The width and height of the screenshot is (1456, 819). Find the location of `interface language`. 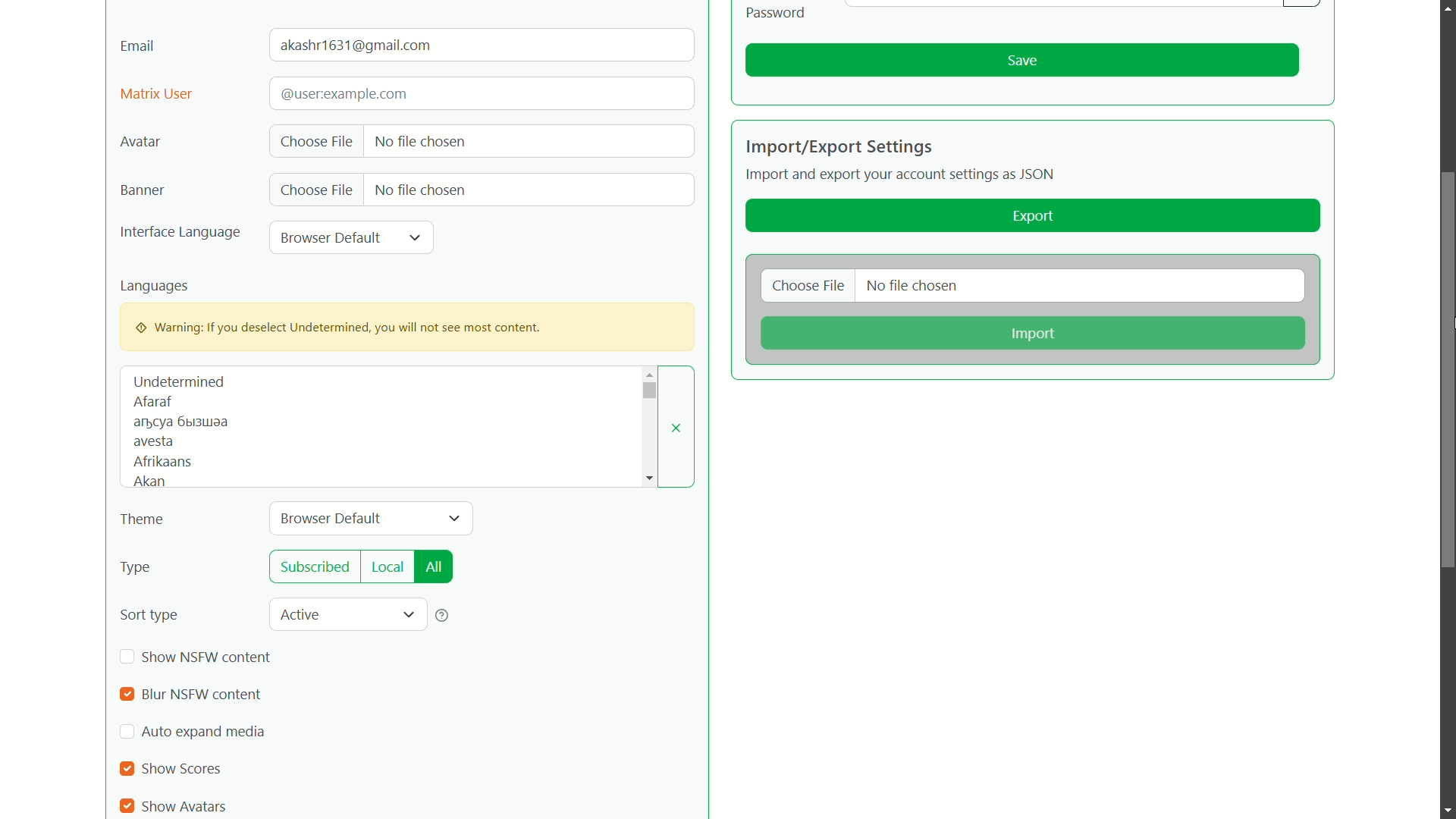

interface language is located at coordinates (180, 234).